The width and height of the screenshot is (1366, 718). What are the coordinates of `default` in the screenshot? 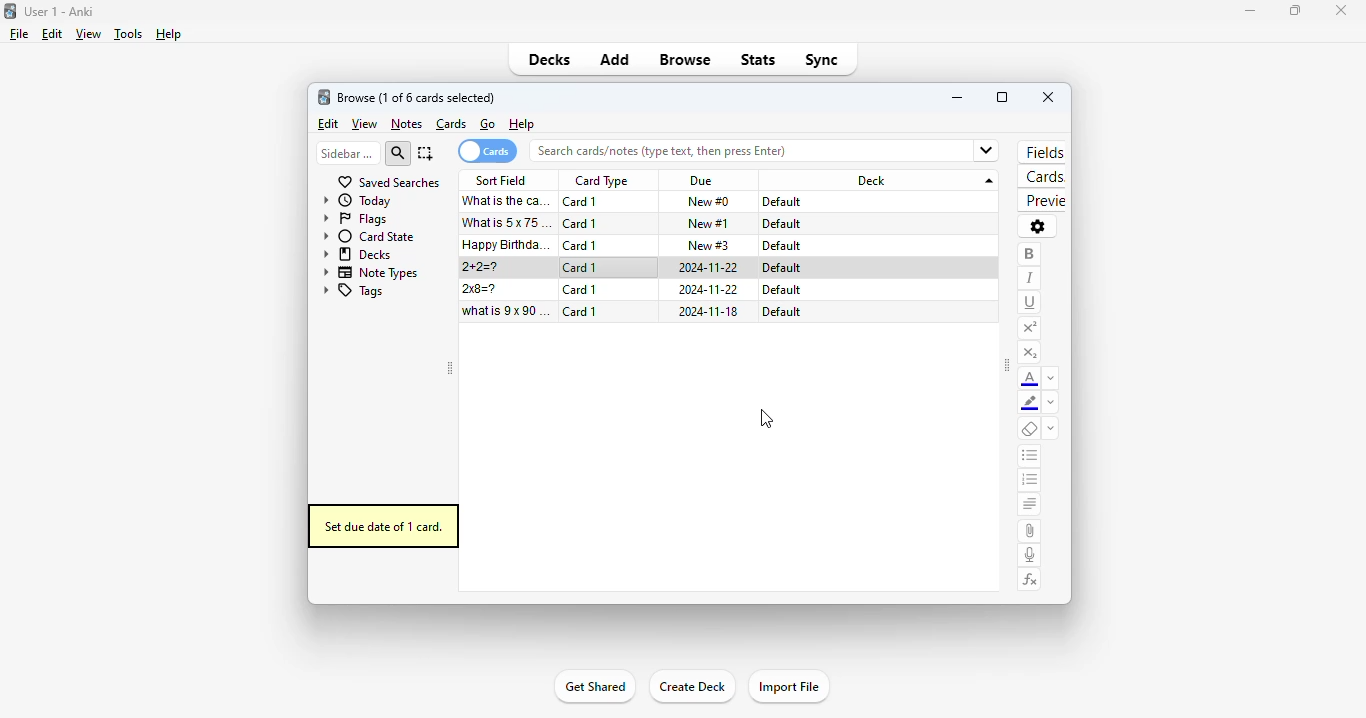 It's located at (783, 202).